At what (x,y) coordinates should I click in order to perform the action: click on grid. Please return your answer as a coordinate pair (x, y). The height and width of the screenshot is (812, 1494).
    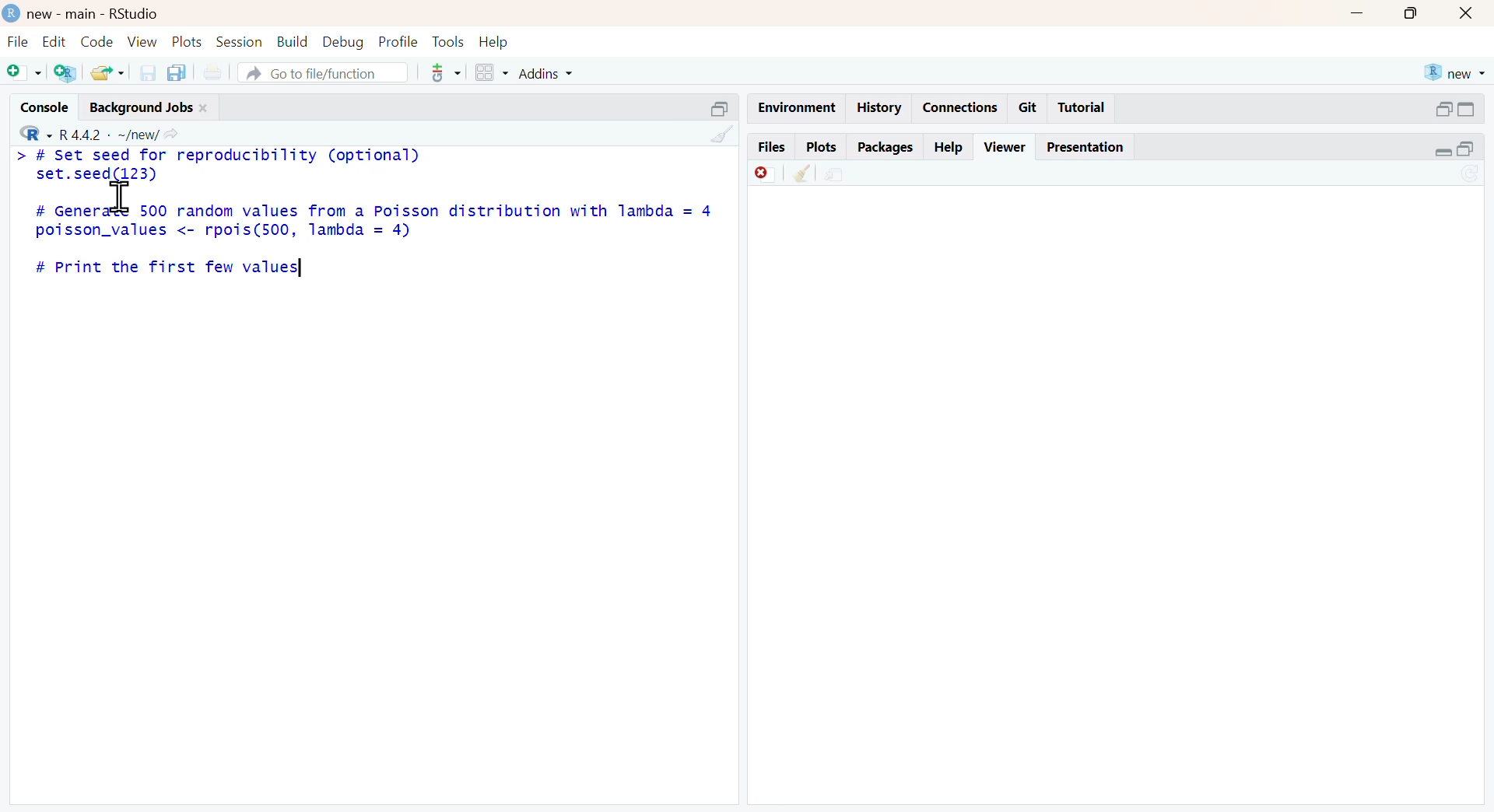
    Looking at the image, I should click on (493, 72).